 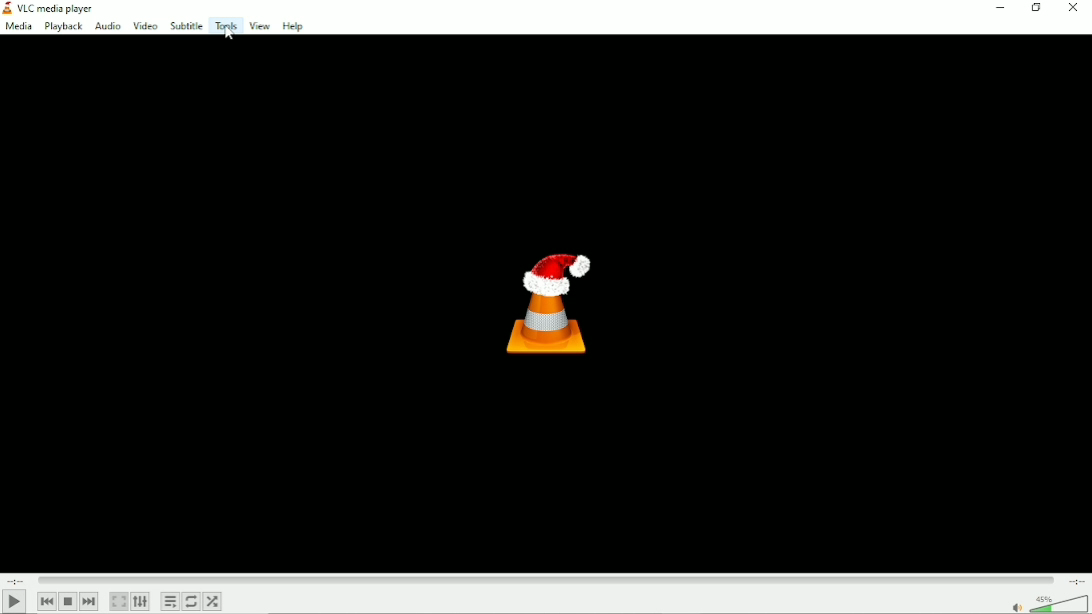 What do you see at coordinates (170, 601) in the screenshot?
I see `Toggle playlist` at bounding box center [170, 601].